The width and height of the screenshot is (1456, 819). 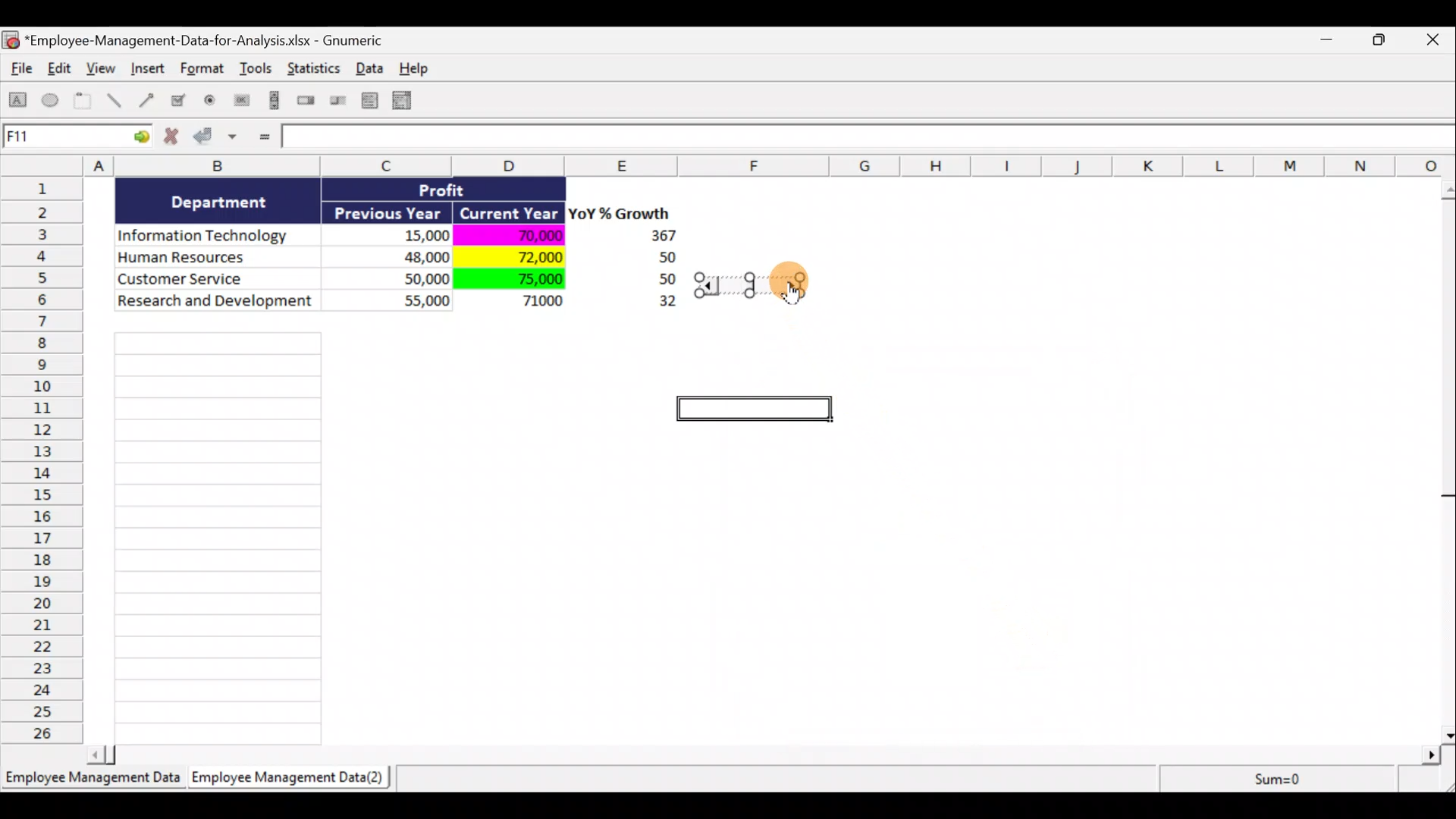 I want to click on Create a list, so click(x=366, y=100).